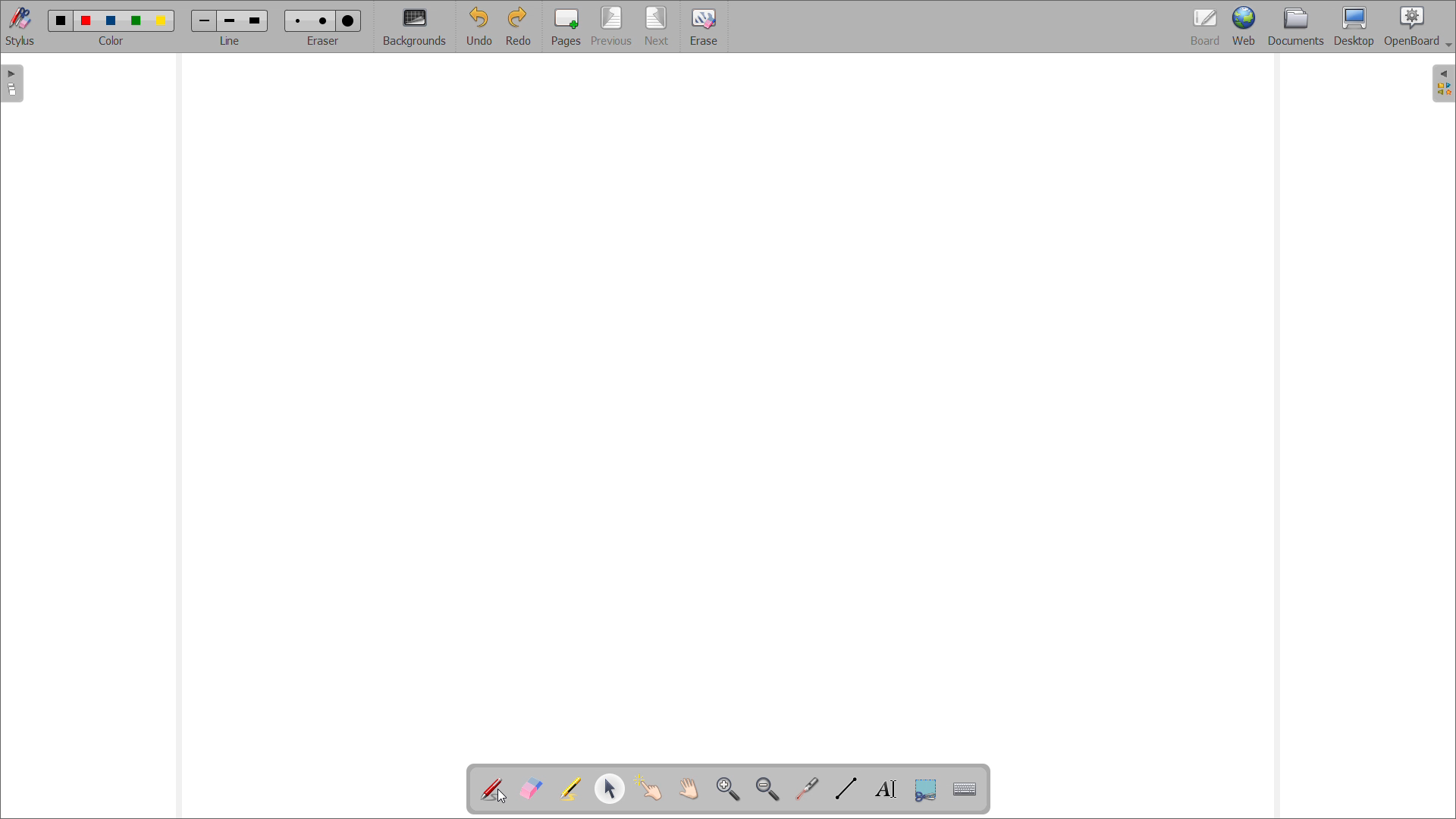 The width and height of the screenshot is (1456, 819). Describe the element at coordinates (415, 26) in the screenshot. I see `backgrounds` at that location.